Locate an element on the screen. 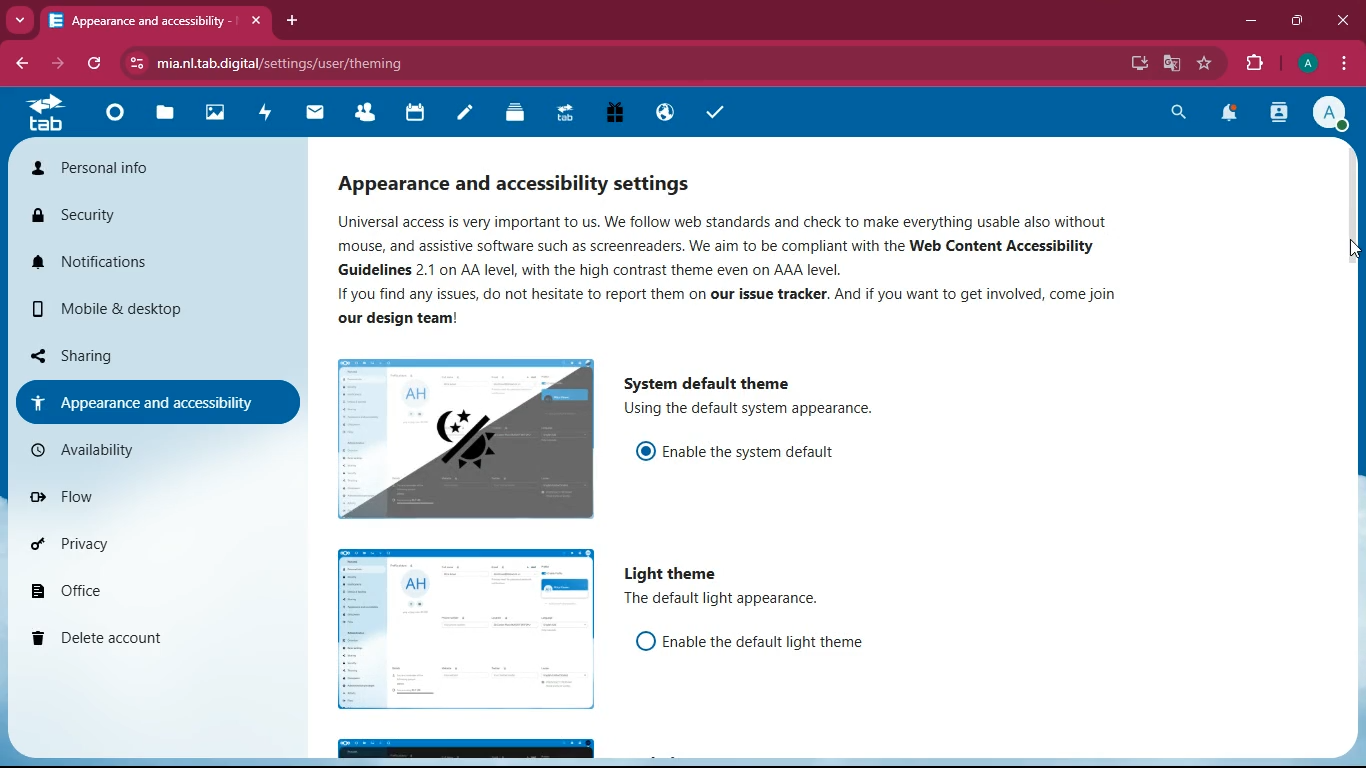 The height and width of the screenshot is (768, 1366). notifications is located at coordinates (1228, 114).